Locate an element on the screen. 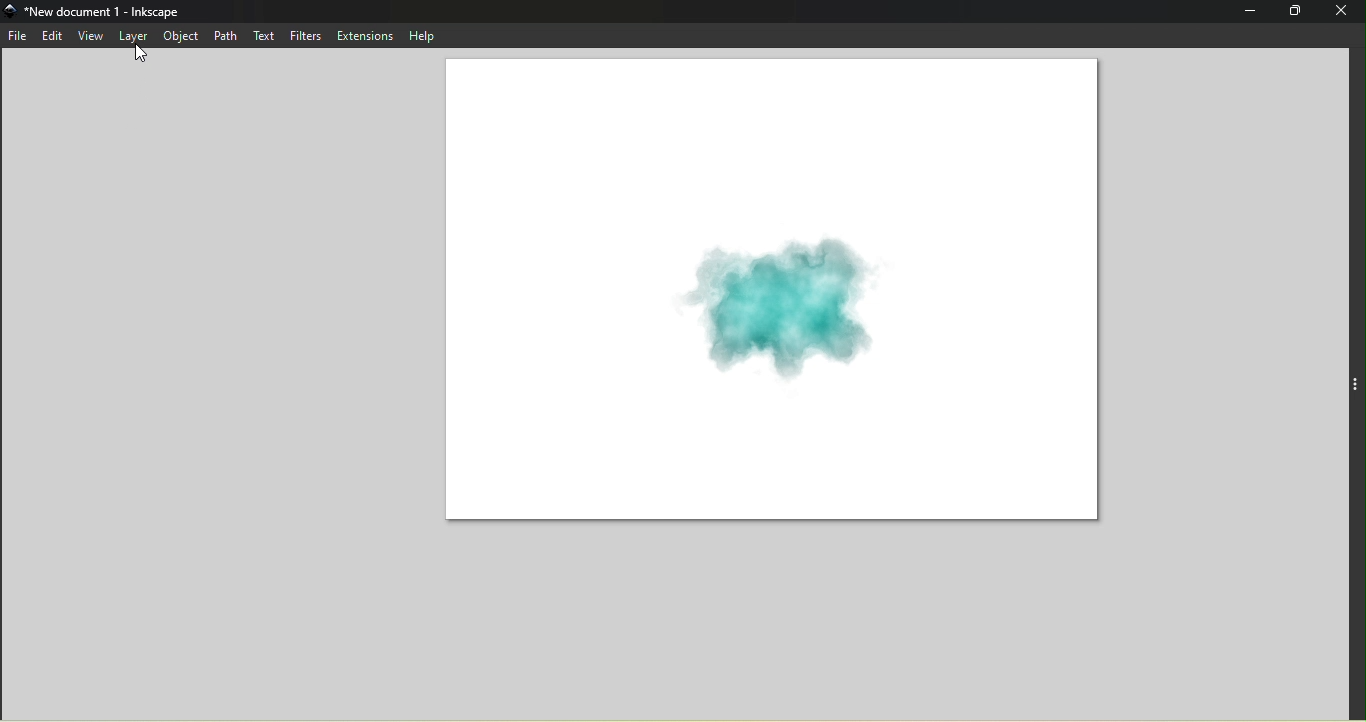  Maximize is located at coordinates (1294, 11).